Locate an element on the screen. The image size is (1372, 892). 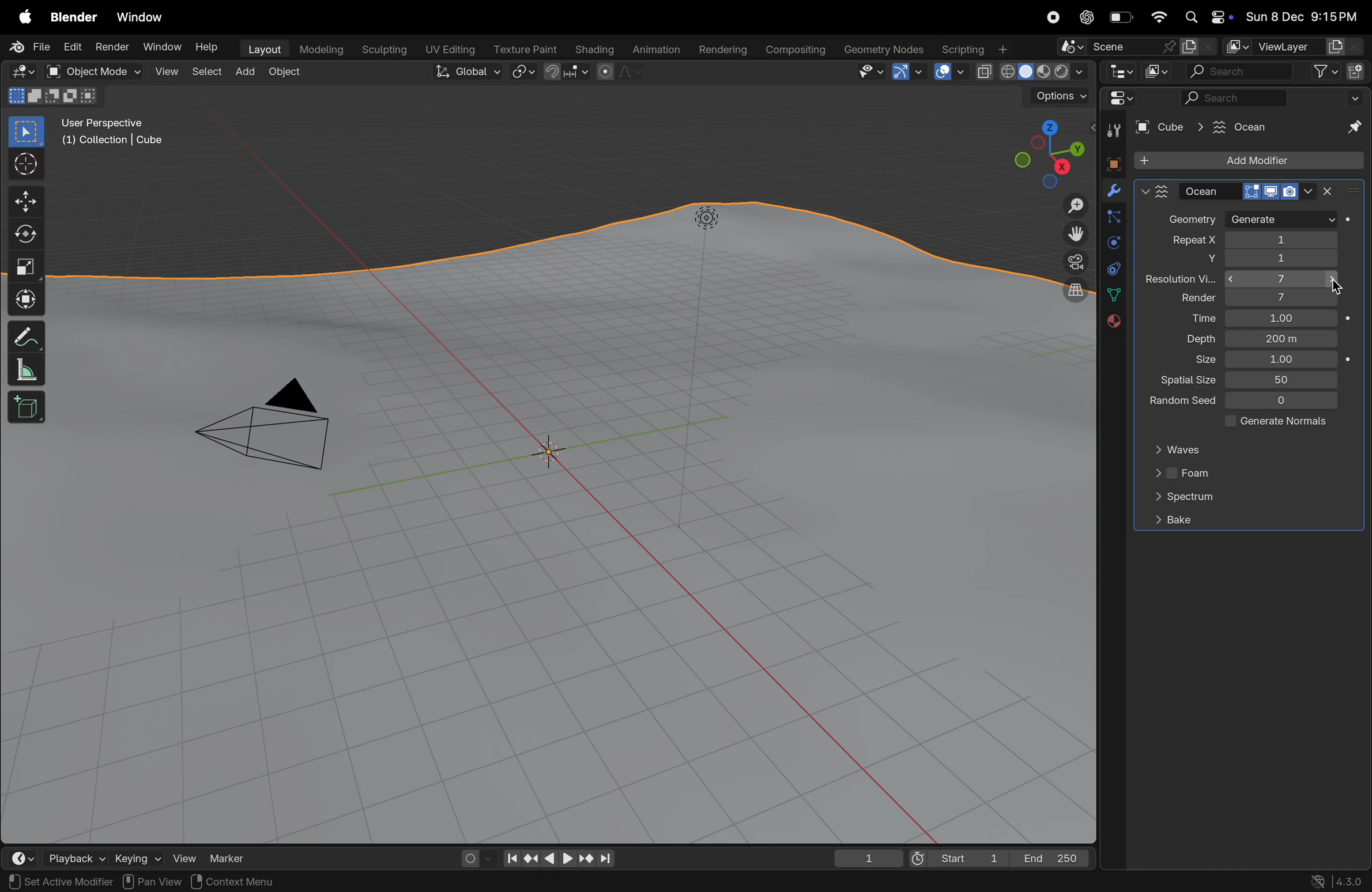
maker is located at coordinates (233, 857).